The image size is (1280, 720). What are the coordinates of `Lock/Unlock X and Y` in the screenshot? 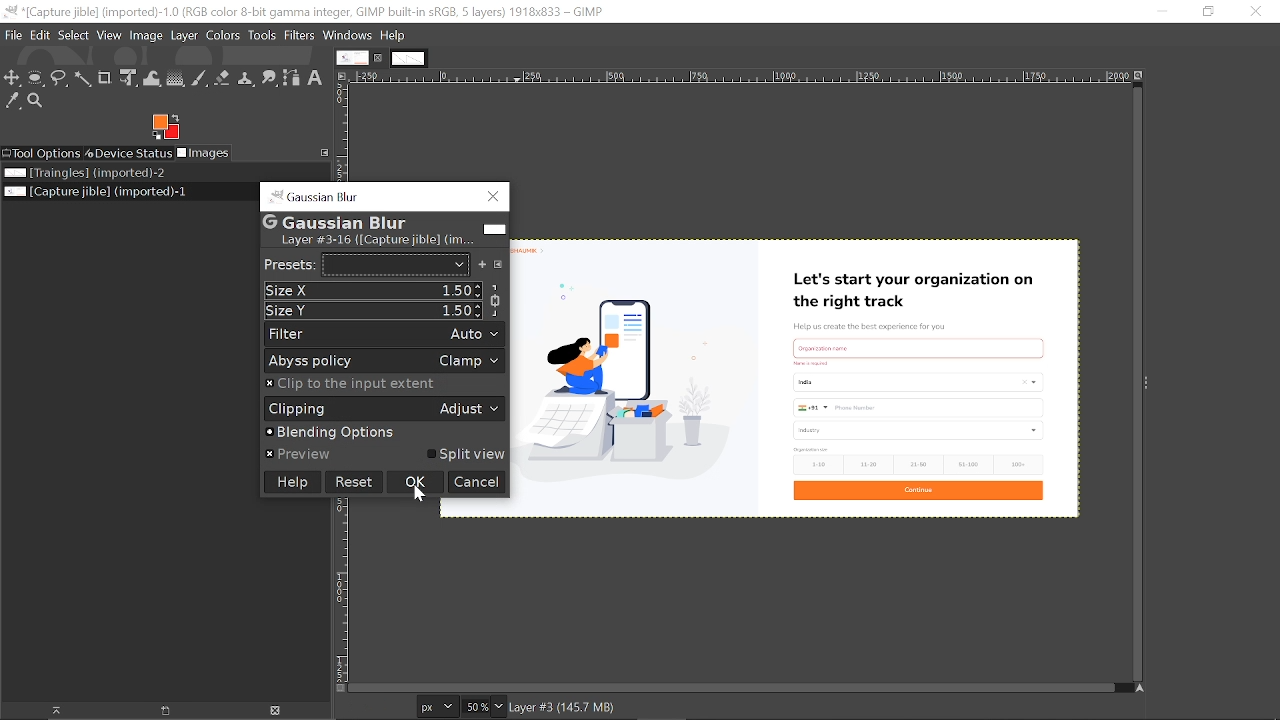 It's located at (495, 300).